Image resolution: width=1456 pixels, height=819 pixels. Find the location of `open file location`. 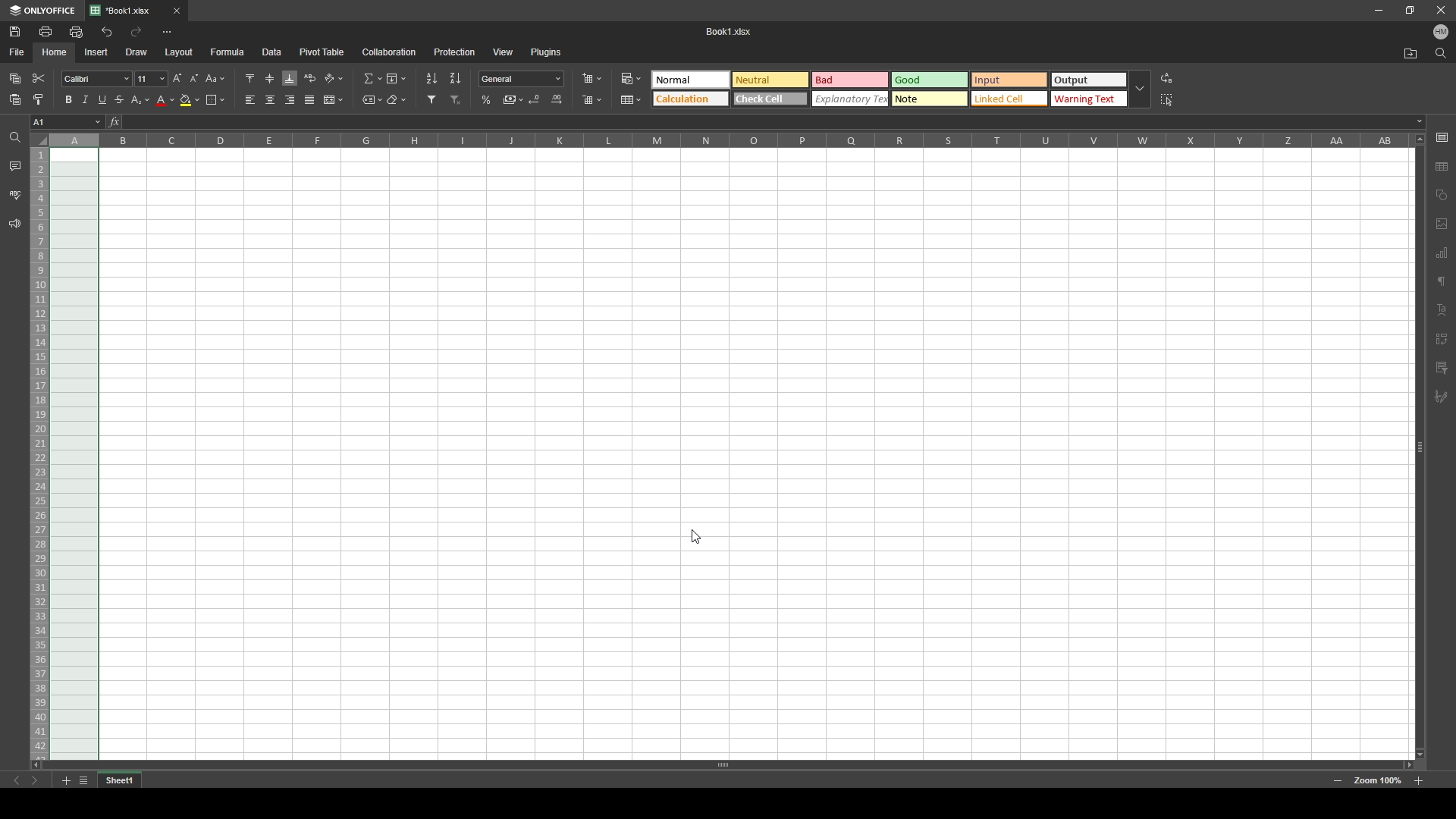

open file location is located at coordinates (1411, 55).